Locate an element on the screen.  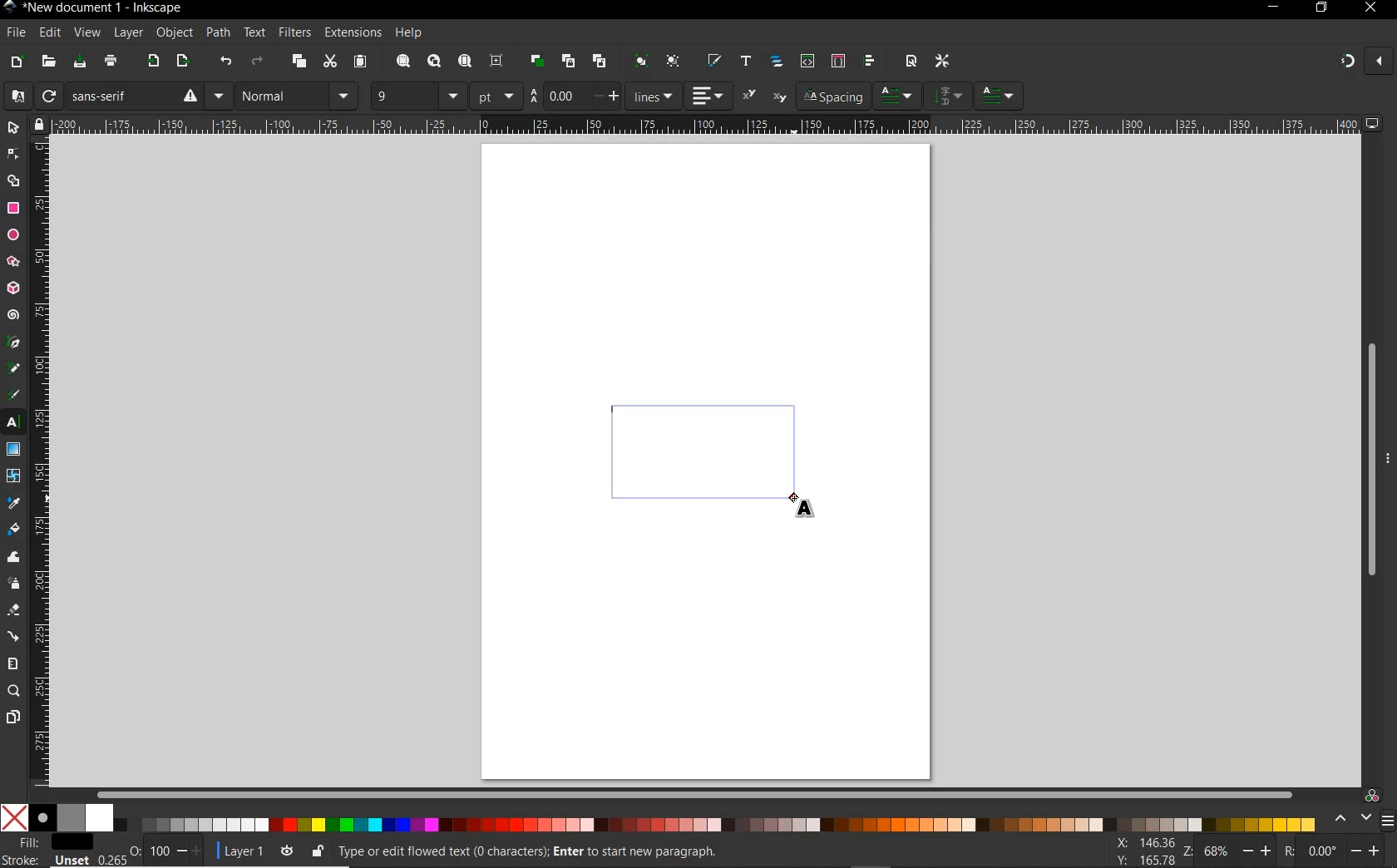
color scroll options is located at coordinates (1348, 819).